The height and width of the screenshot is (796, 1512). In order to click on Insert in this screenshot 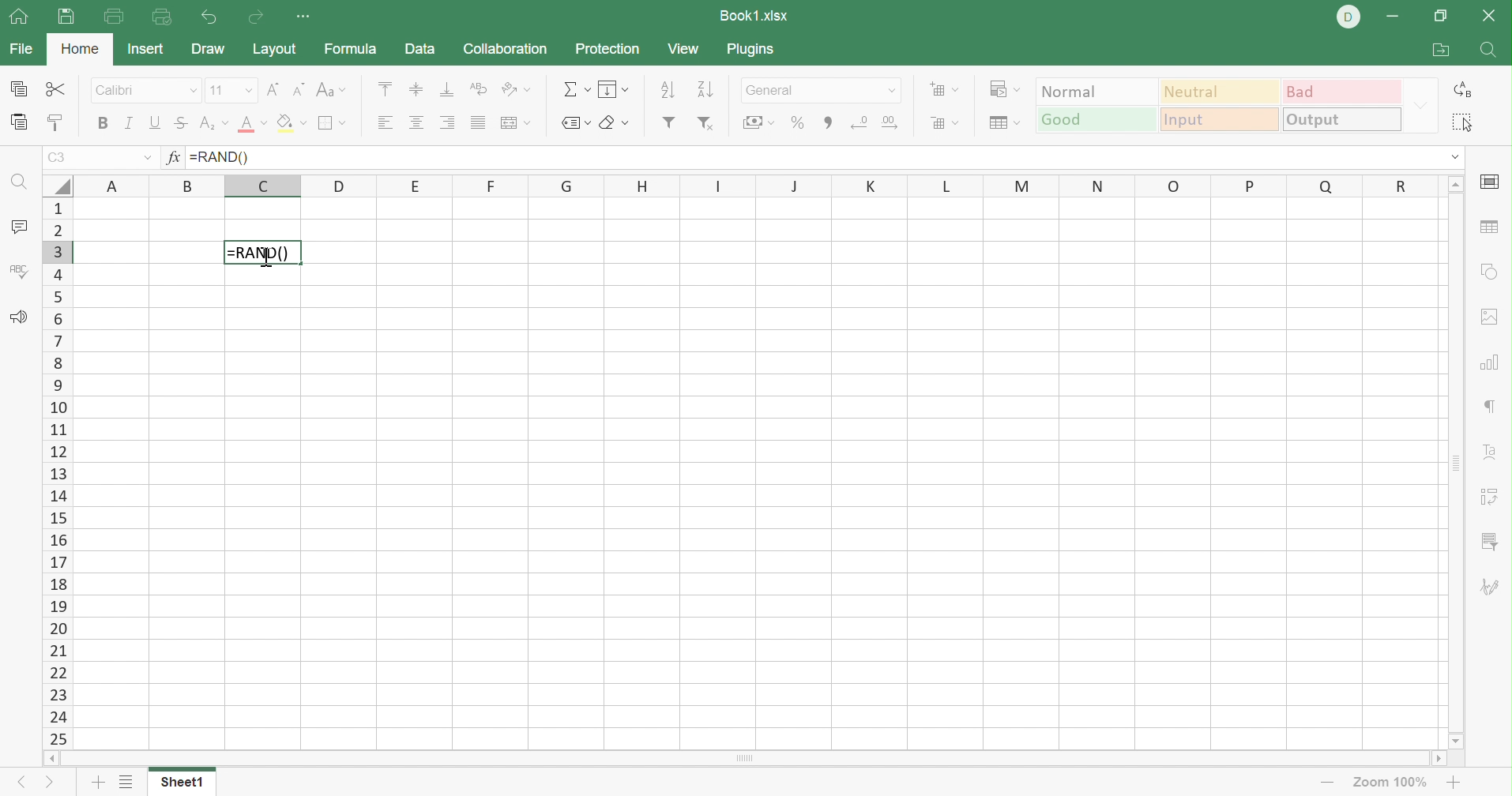, I will do `click(147, 48)`.